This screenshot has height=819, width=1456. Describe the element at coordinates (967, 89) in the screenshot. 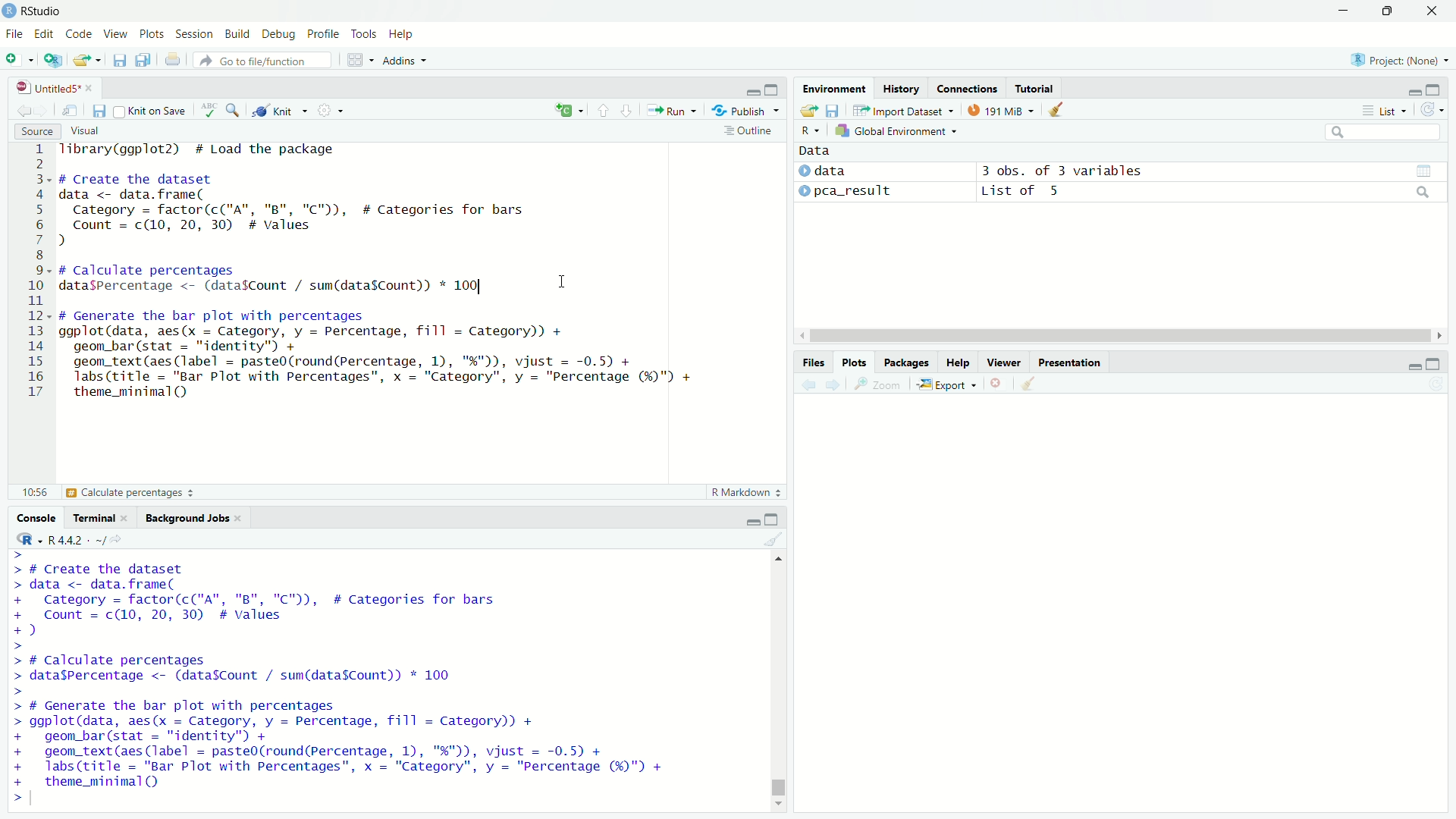

I see `connections` at that location.